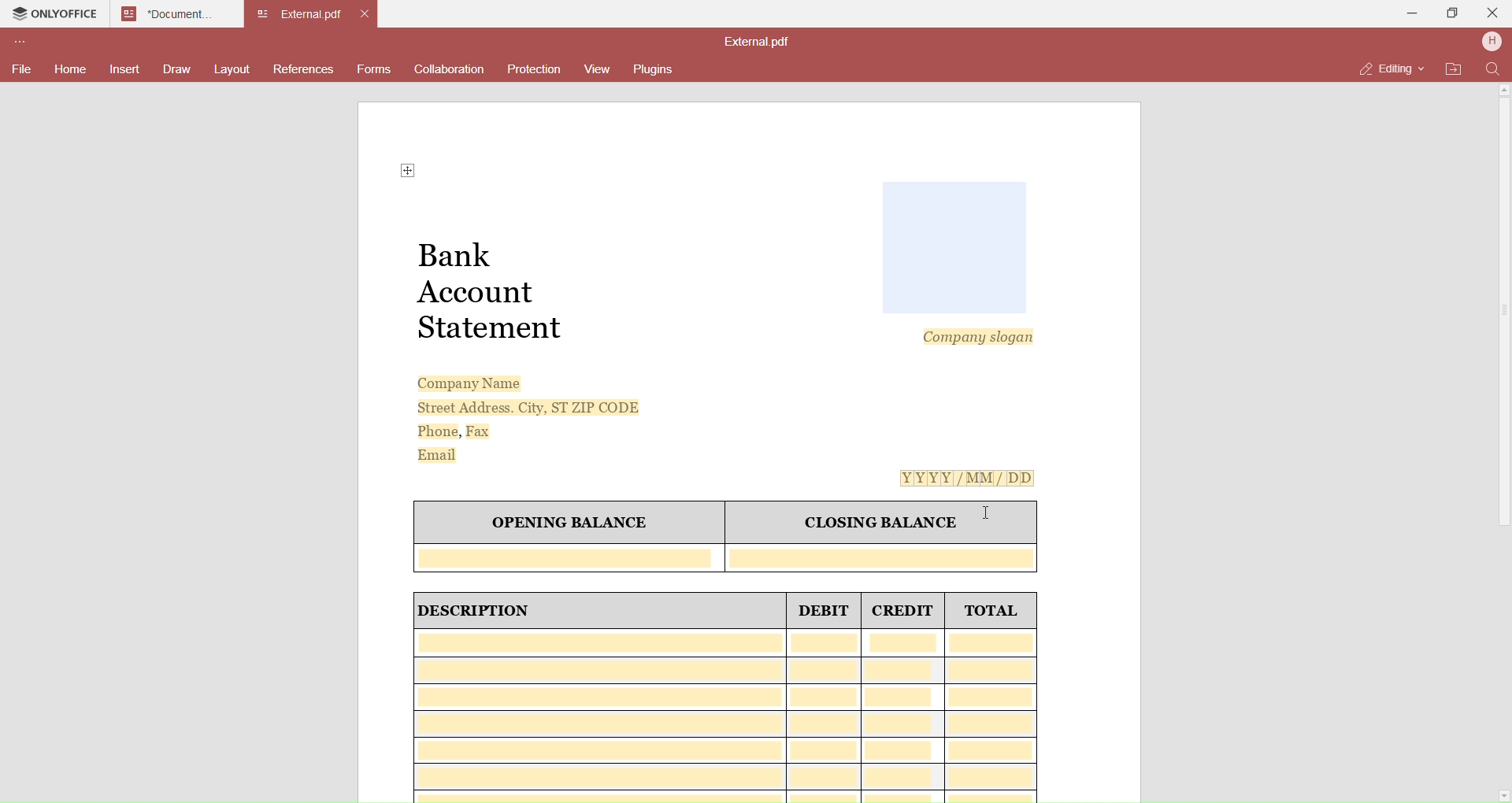 The image size is (1512, 803). What do you see at coordinates (1494, 12) in the screenshot?
I see `Close` at bounding box center [1494, 12].